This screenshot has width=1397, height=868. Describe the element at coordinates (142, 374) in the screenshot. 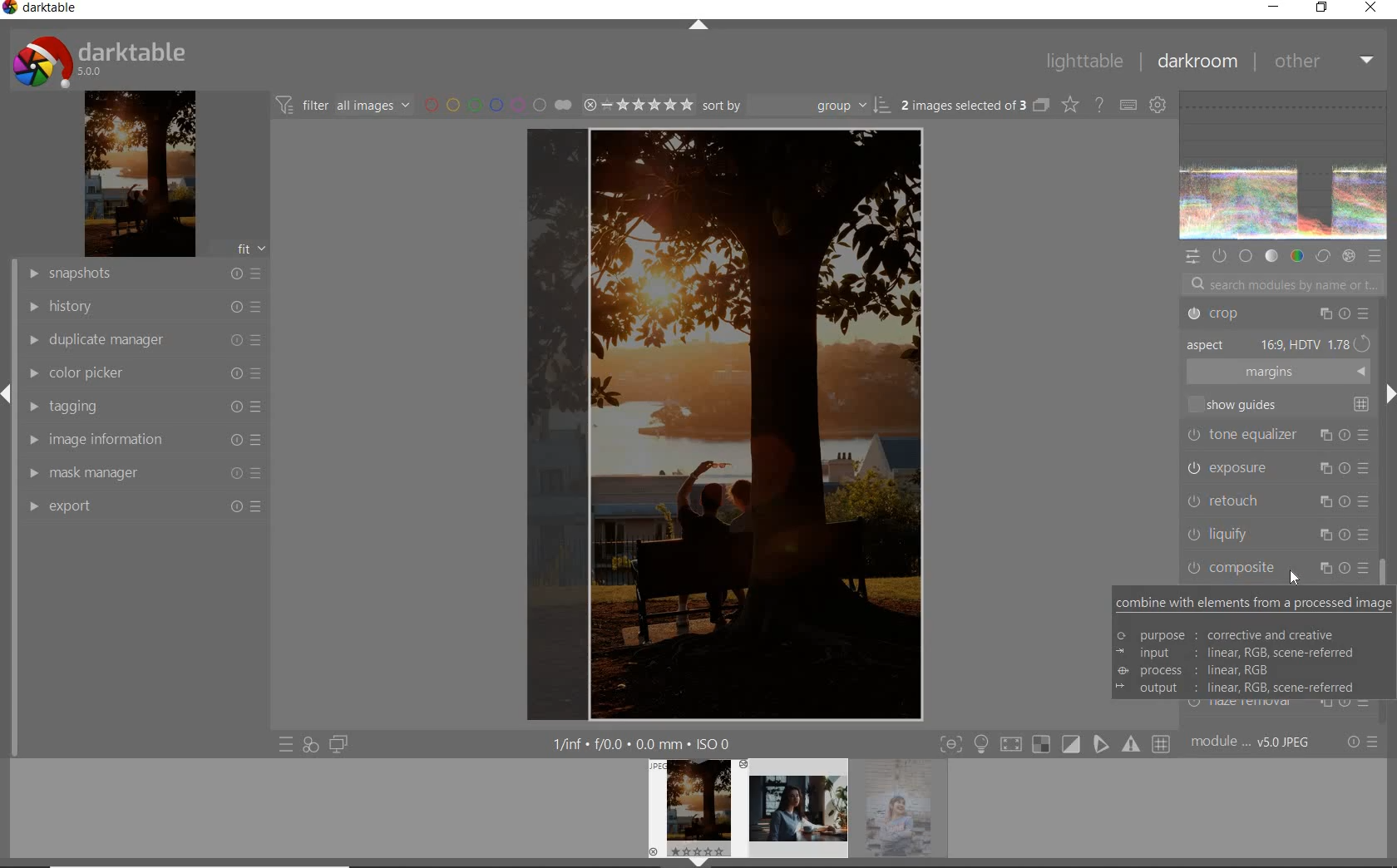

I see `color picker` at that location.